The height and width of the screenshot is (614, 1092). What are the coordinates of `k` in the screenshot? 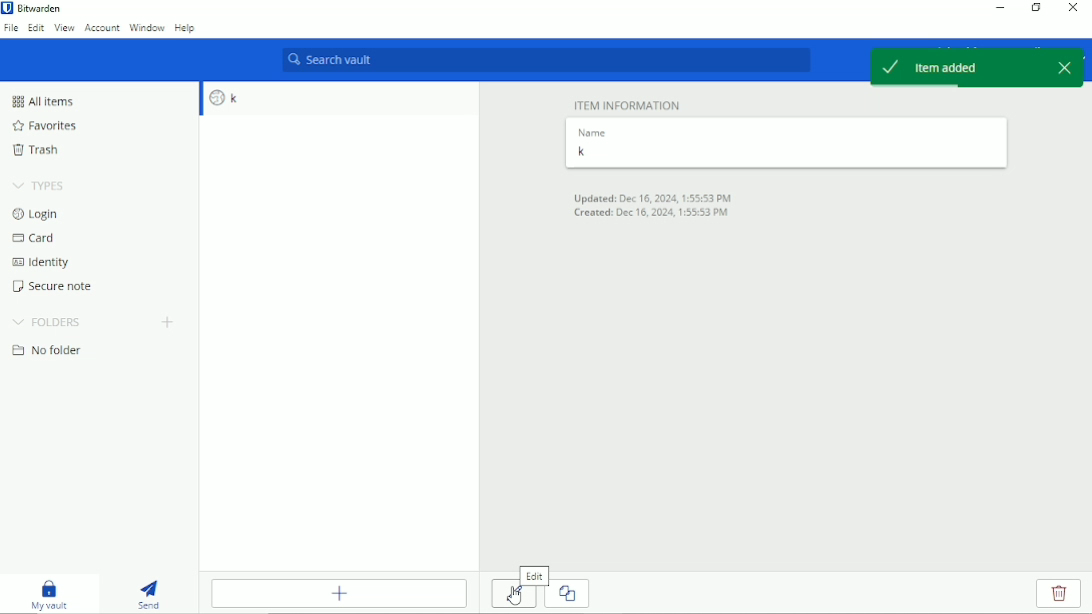 It's located at (340, 99).